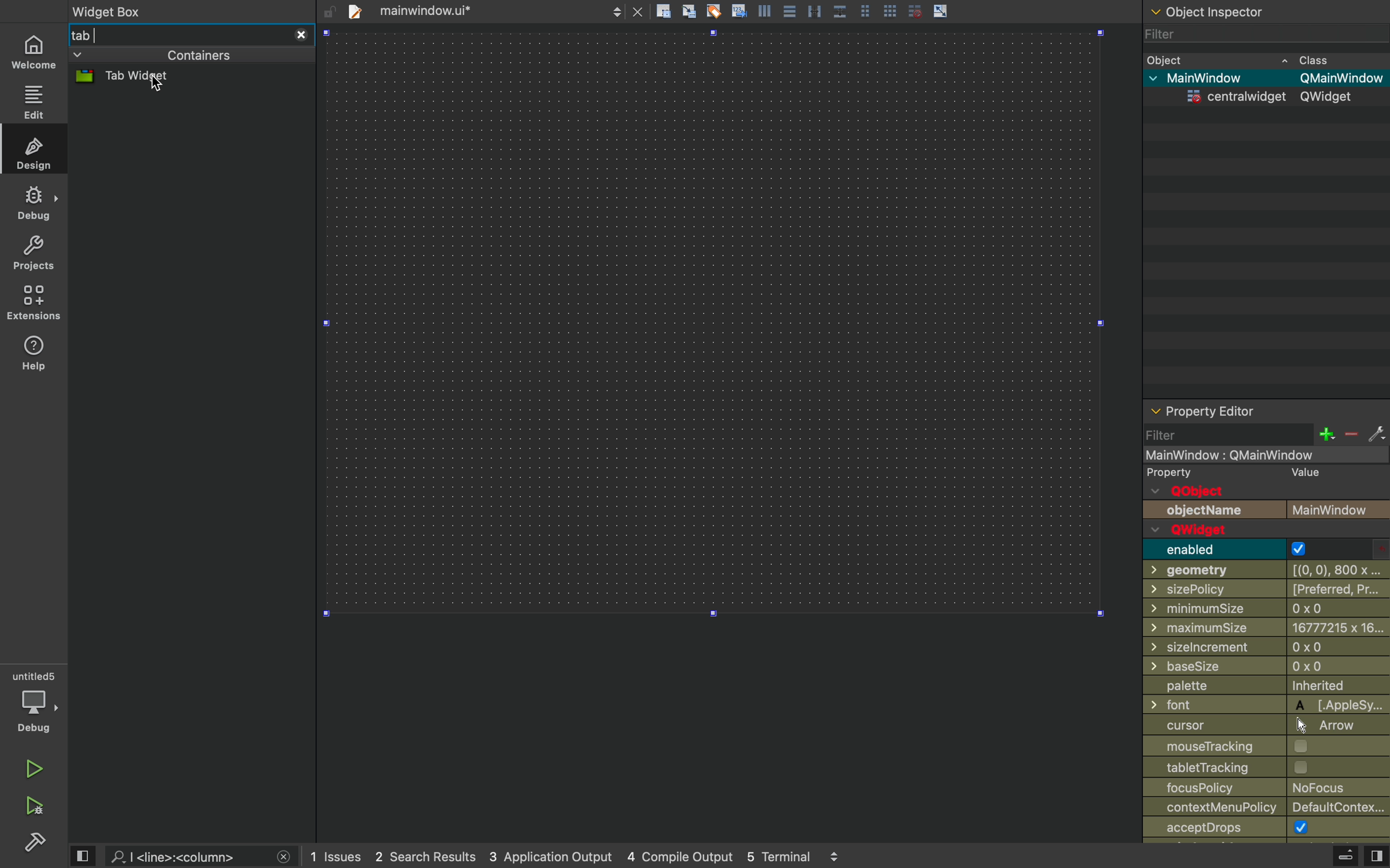 The image size is (1390, 868). What do you see at coordinates (1266, 629) in the screenshot?
I see `minimum size` at bounding box center [1266, 629].